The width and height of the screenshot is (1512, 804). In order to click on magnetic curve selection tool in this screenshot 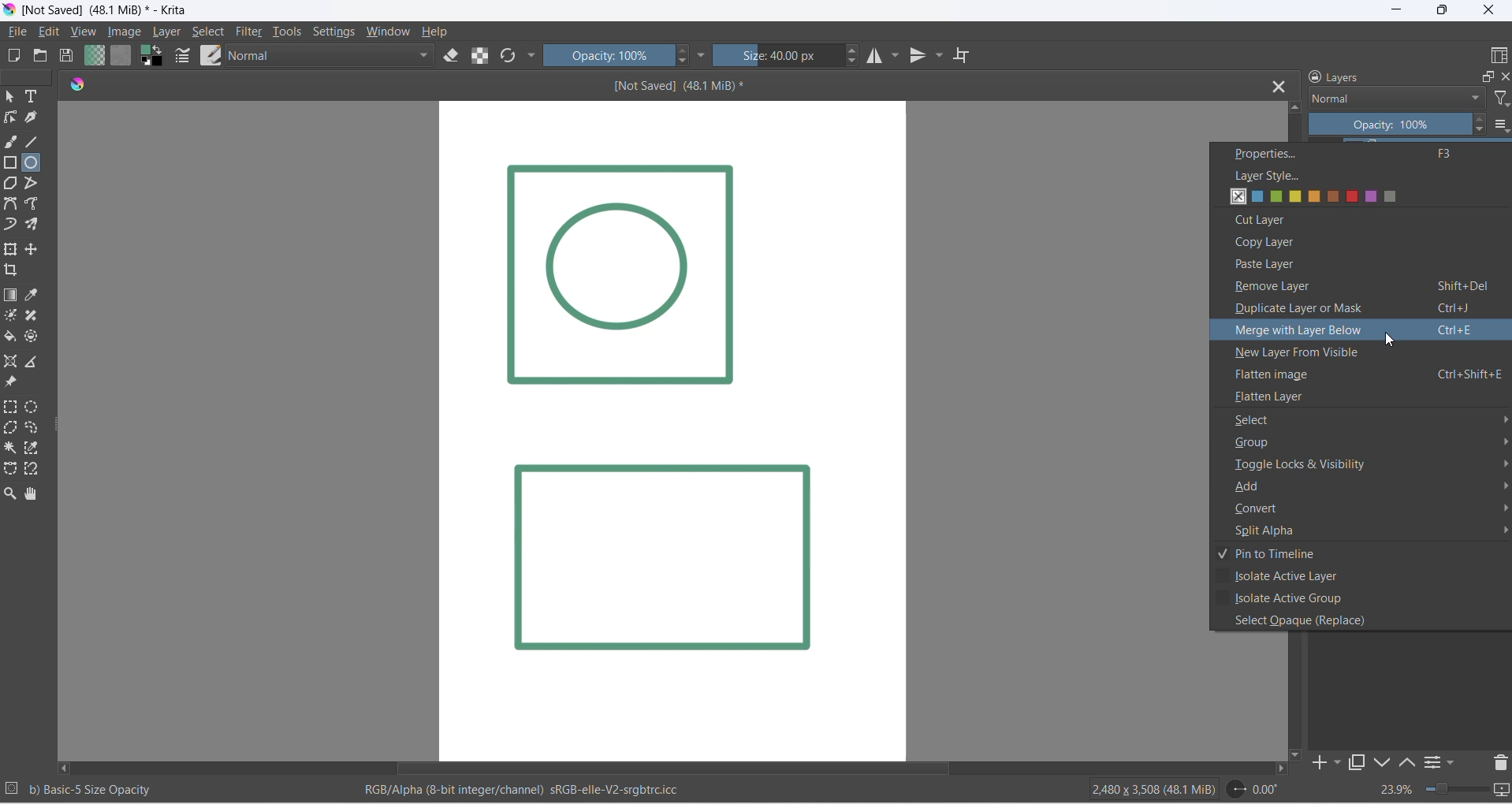, I will do `click(32, 471)`.